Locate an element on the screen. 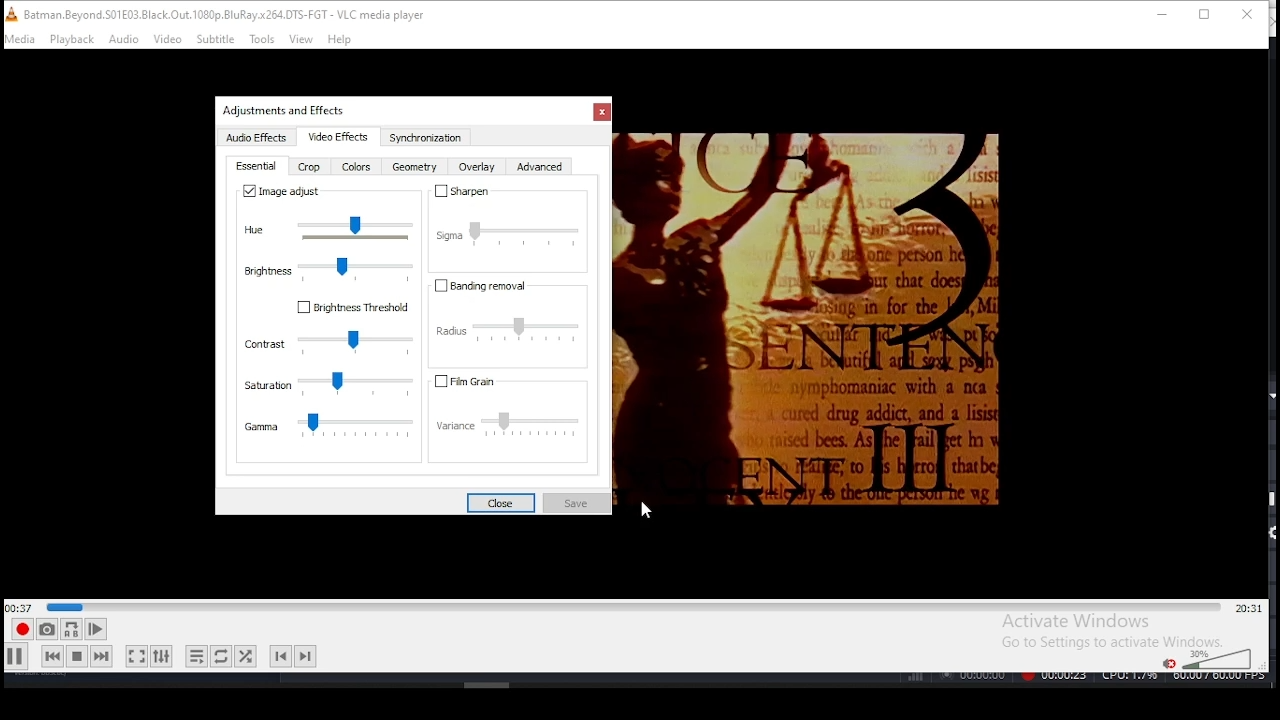 The height and width of the screenshot is (720, 1280). stop is located at coordinates (76, 656).